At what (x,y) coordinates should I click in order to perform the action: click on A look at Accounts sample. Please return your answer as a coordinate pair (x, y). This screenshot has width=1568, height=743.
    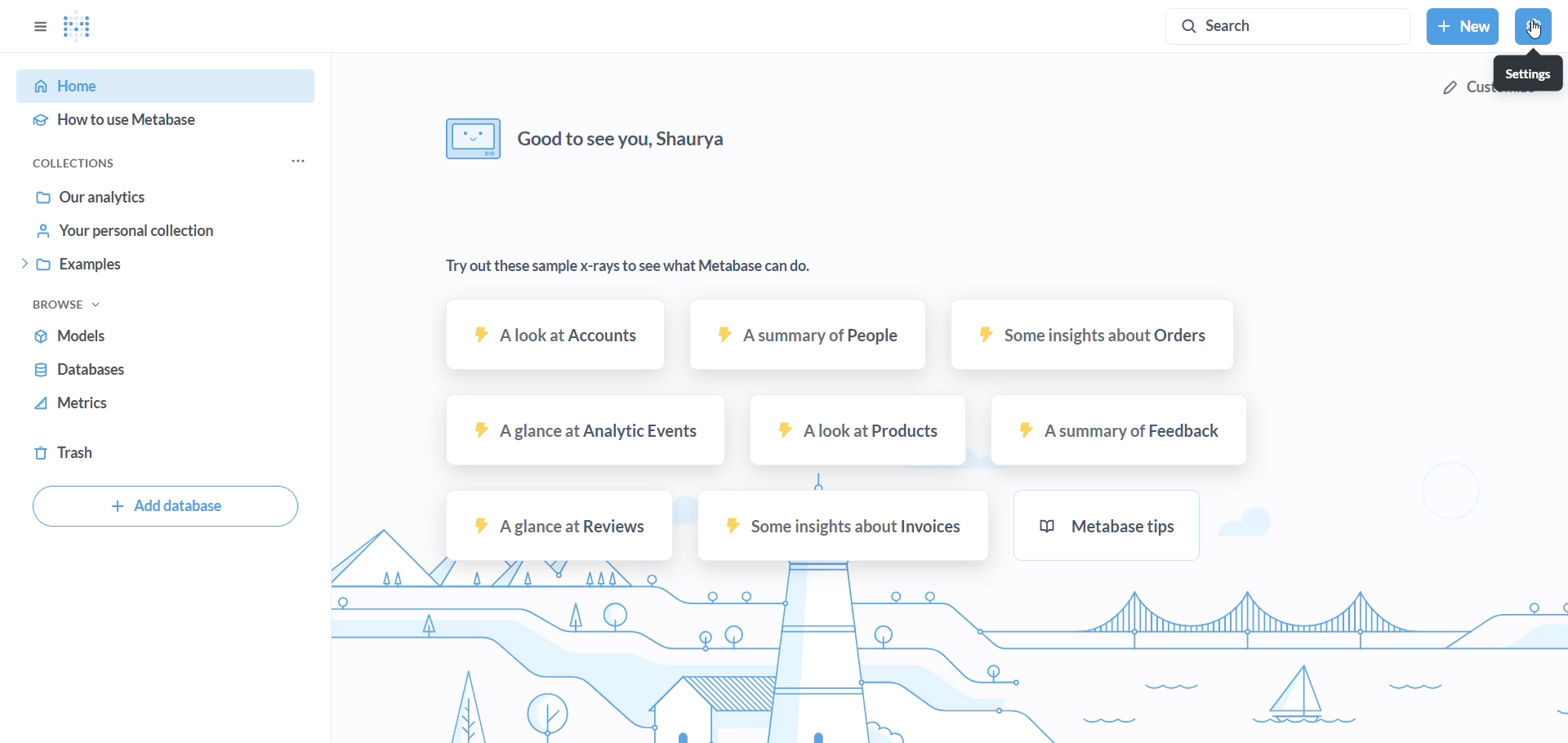
    Looking at the image, I should click on (550, 342).